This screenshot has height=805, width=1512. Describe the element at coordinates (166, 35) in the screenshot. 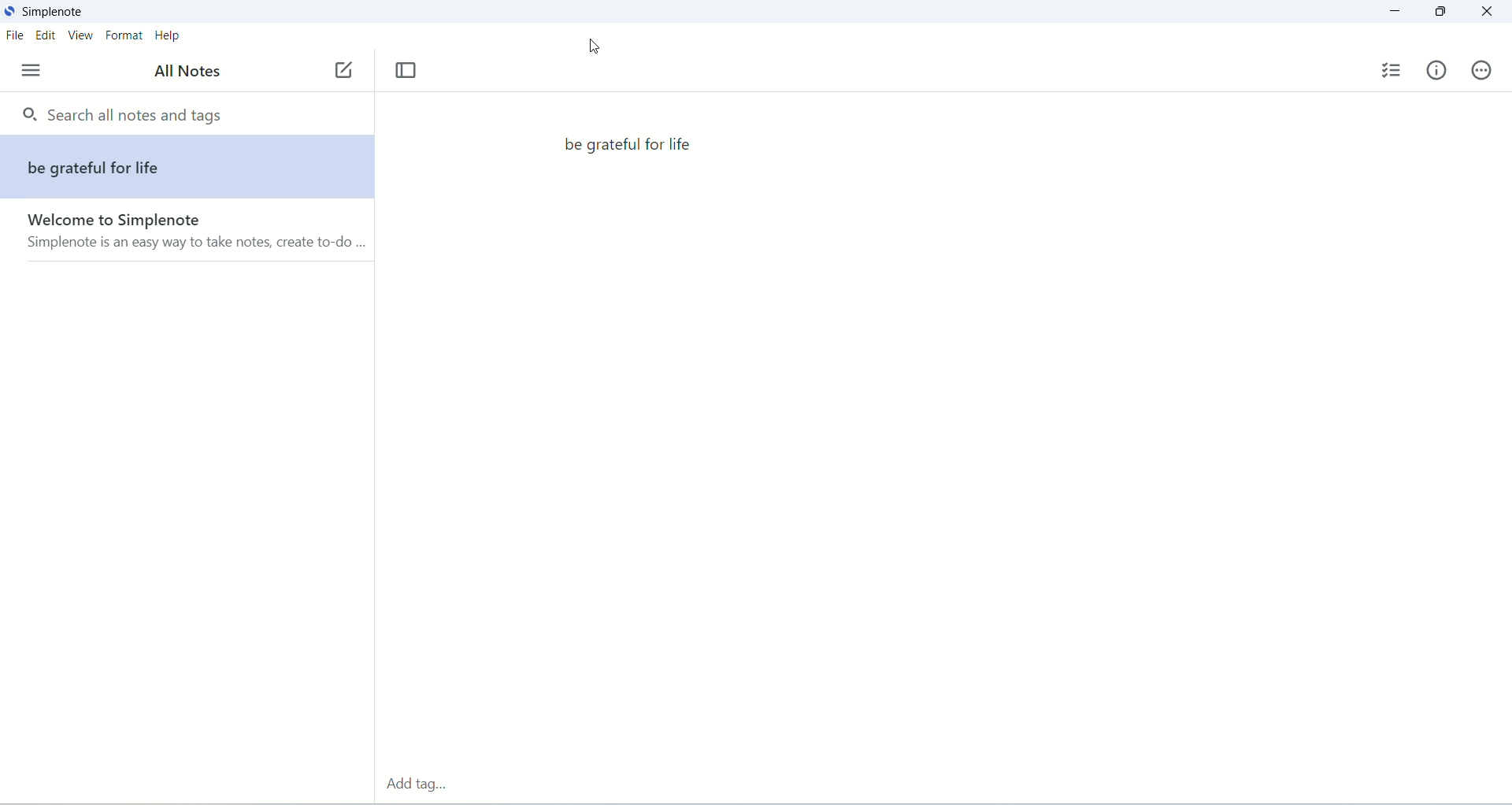

I see `help` at that location.